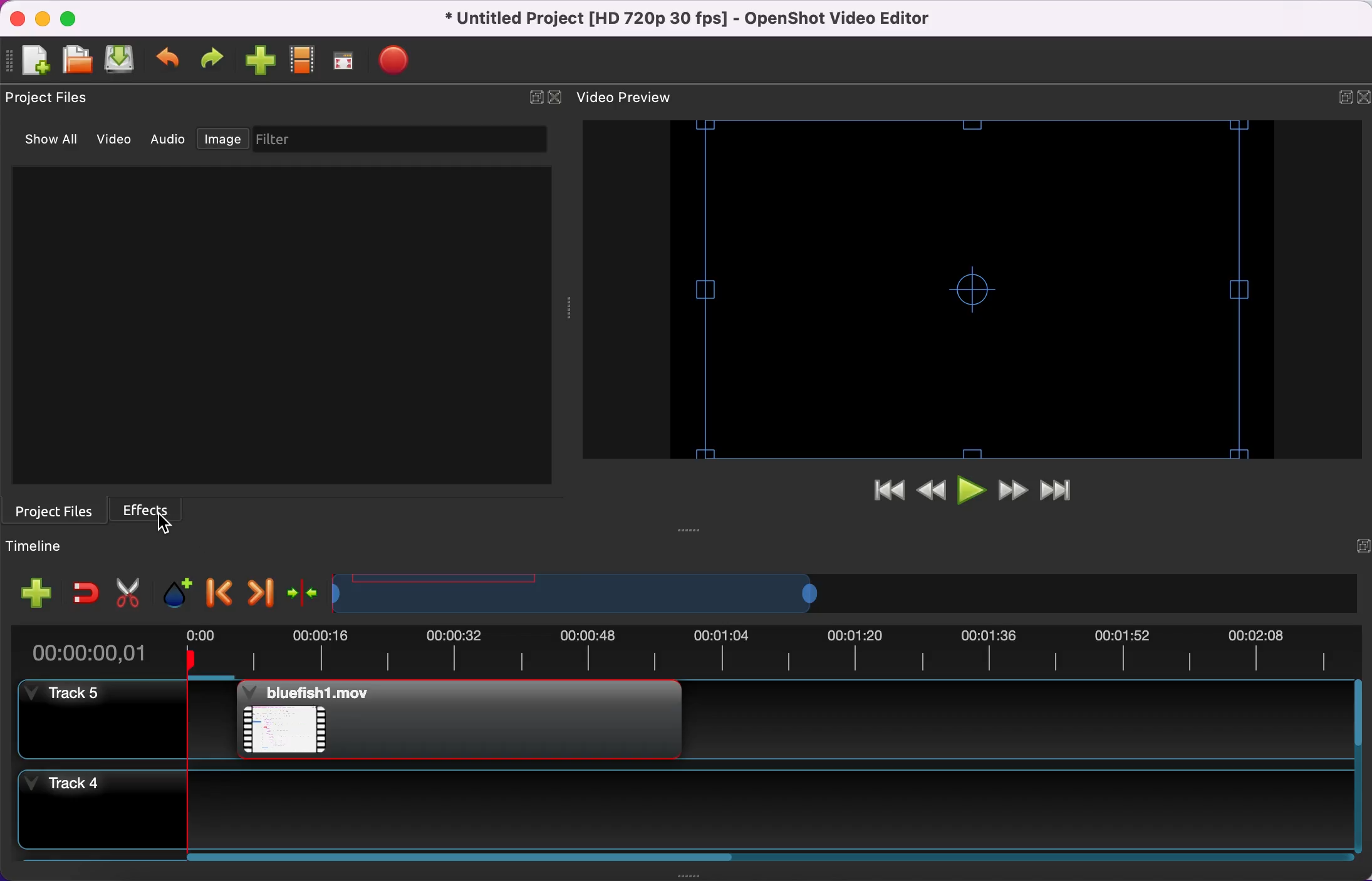 This screenshot has width=1372, height=881. What do you see at coordinates (824, 594) in the screenshot?
I see `timeline` at bounding box center [824, 594].